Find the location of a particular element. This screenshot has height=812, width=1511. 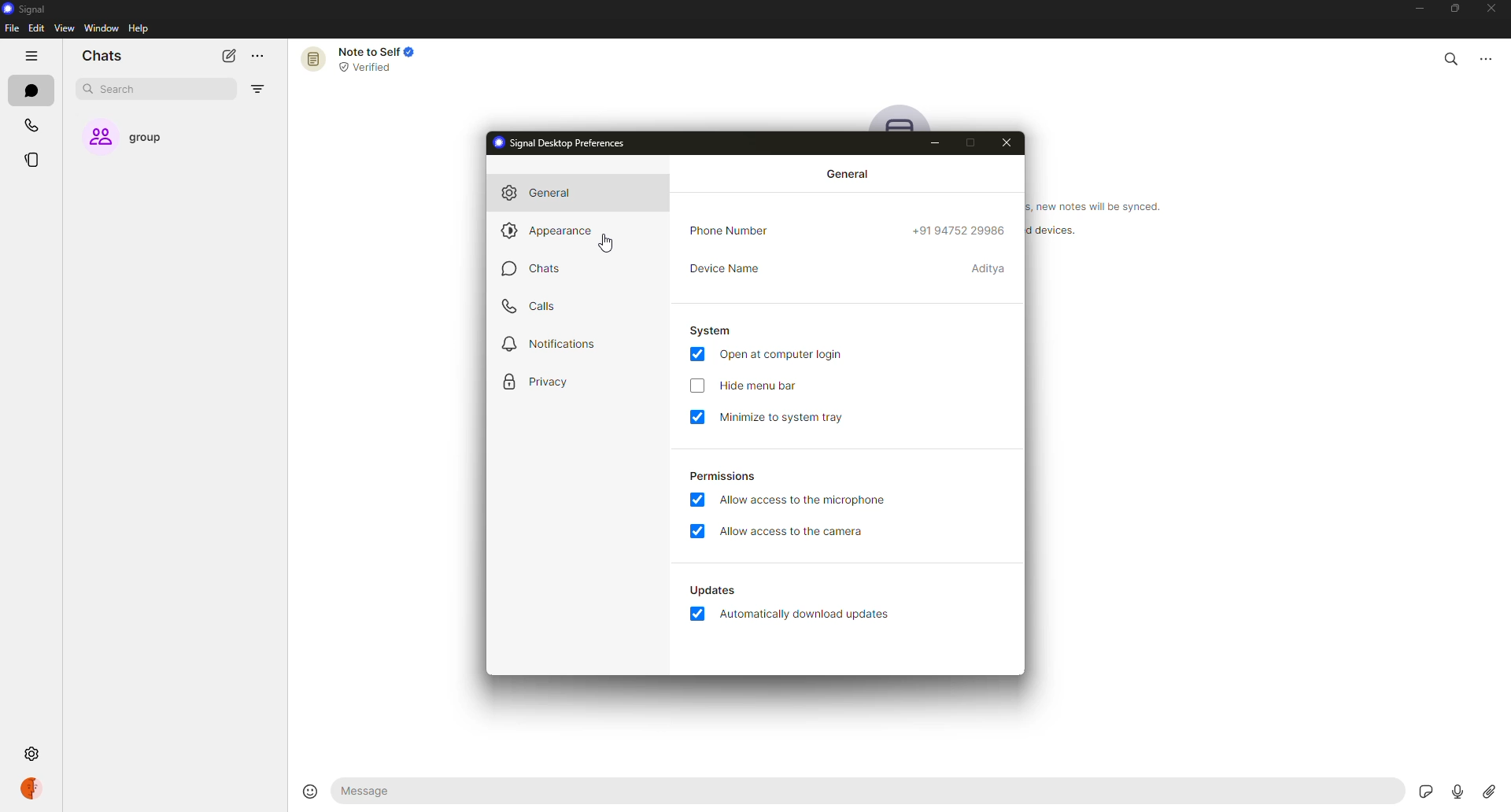

emoji is located at coordinates (305, 789).